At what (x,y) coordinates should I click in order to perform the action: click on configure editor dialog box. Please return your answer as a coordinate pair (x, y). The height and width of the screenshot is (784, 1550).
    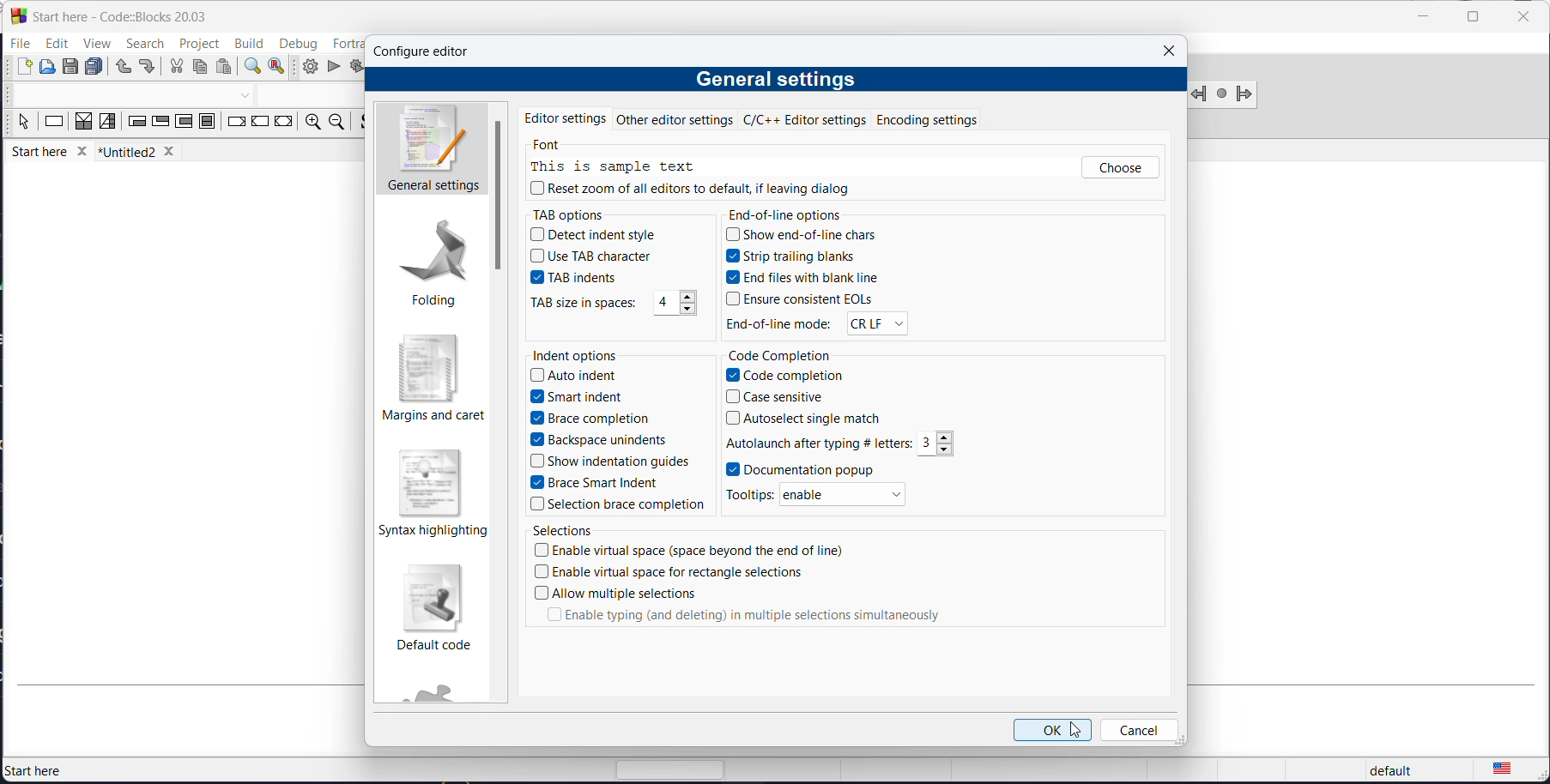
    Looking at the image, I should click on (431, 54).